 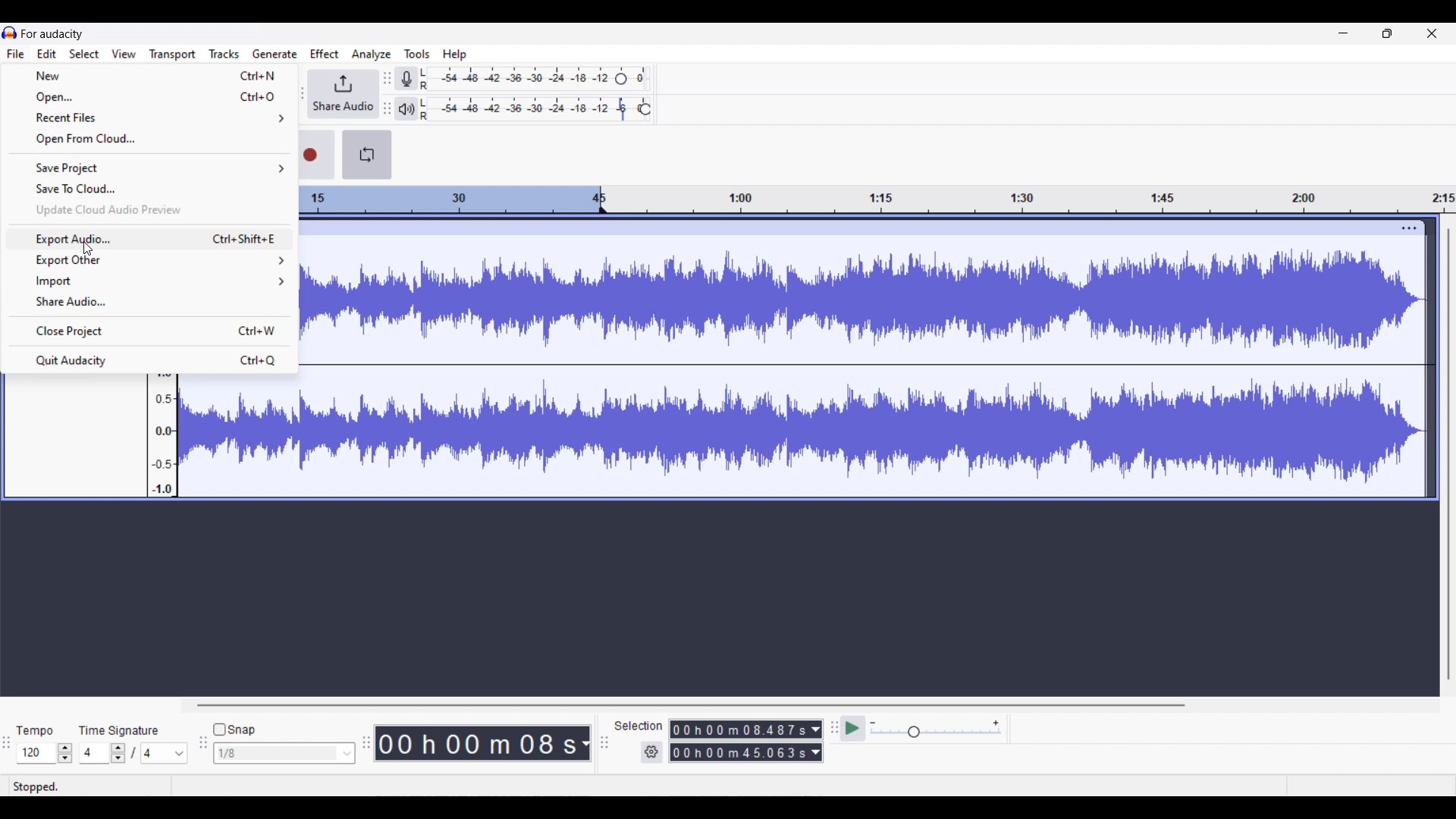 What do you see at coordinates (284, 753) in the screenshot?
I see `Snap options` at bounding box center [284, 753].